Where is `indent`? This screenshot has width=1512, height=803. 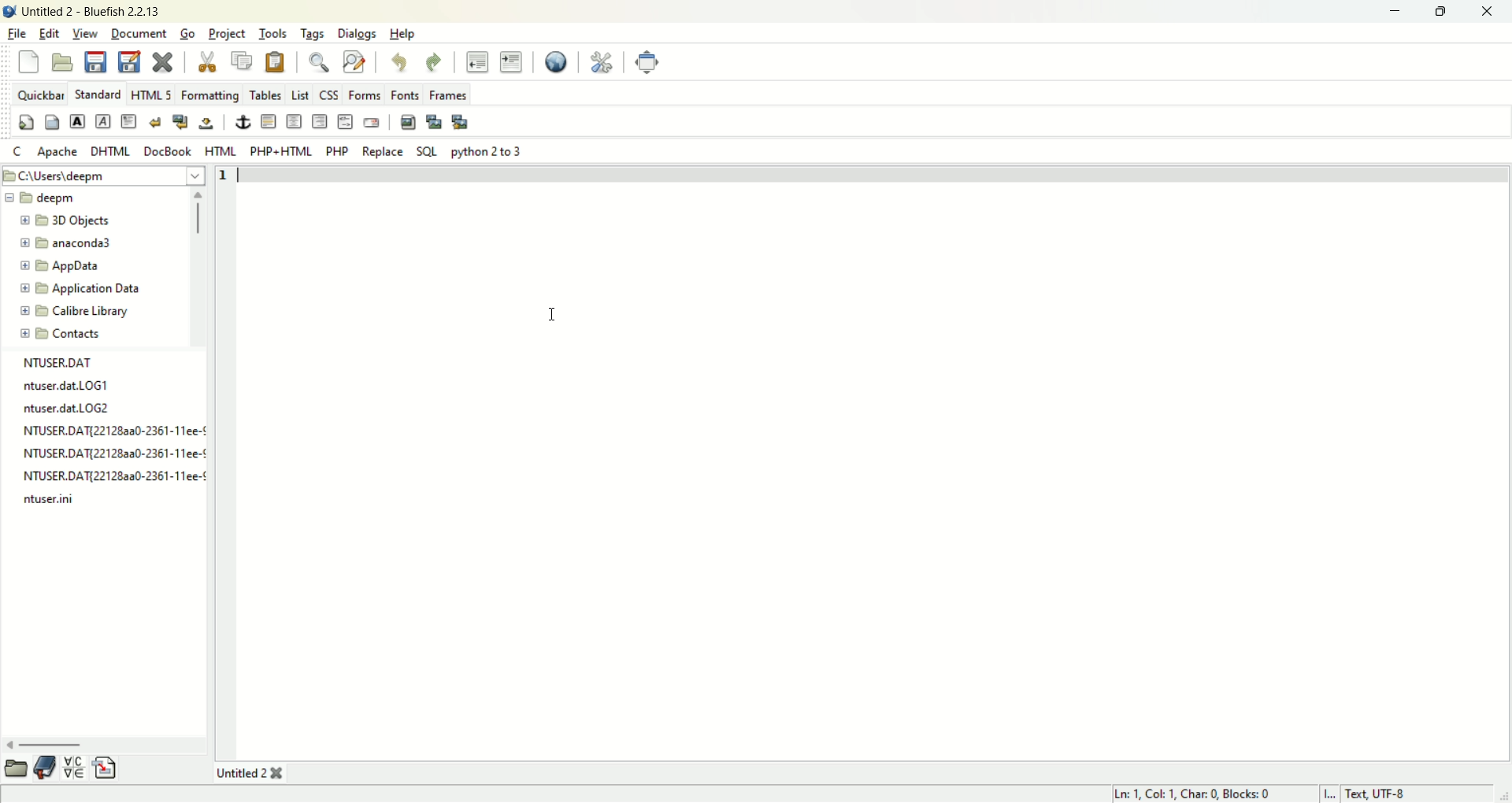
indent is located at coordinates (512, 61).